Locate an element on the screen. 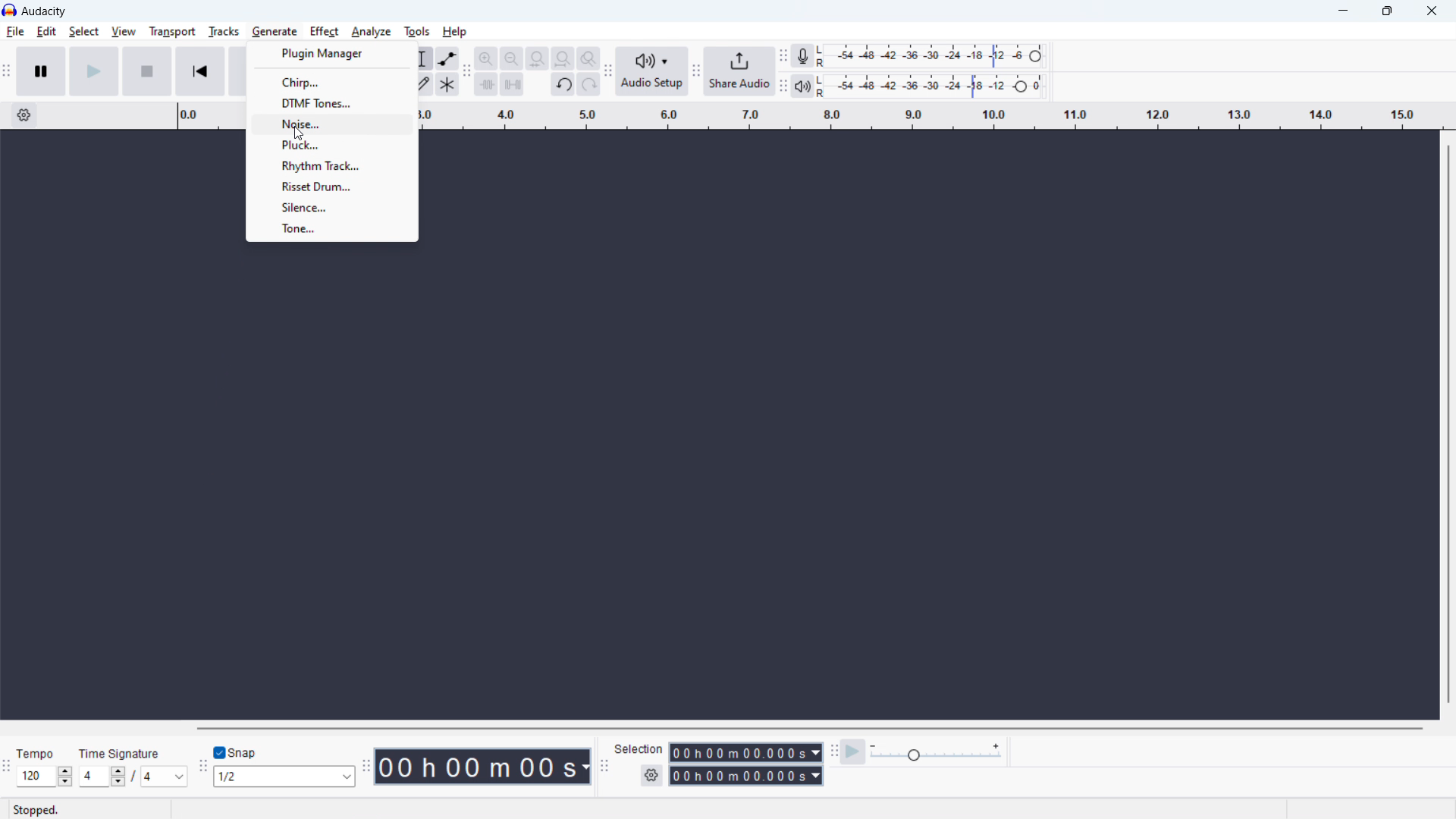 This screenshot has width=1456, height=819. zoom out is located at coordinates (511, 58).